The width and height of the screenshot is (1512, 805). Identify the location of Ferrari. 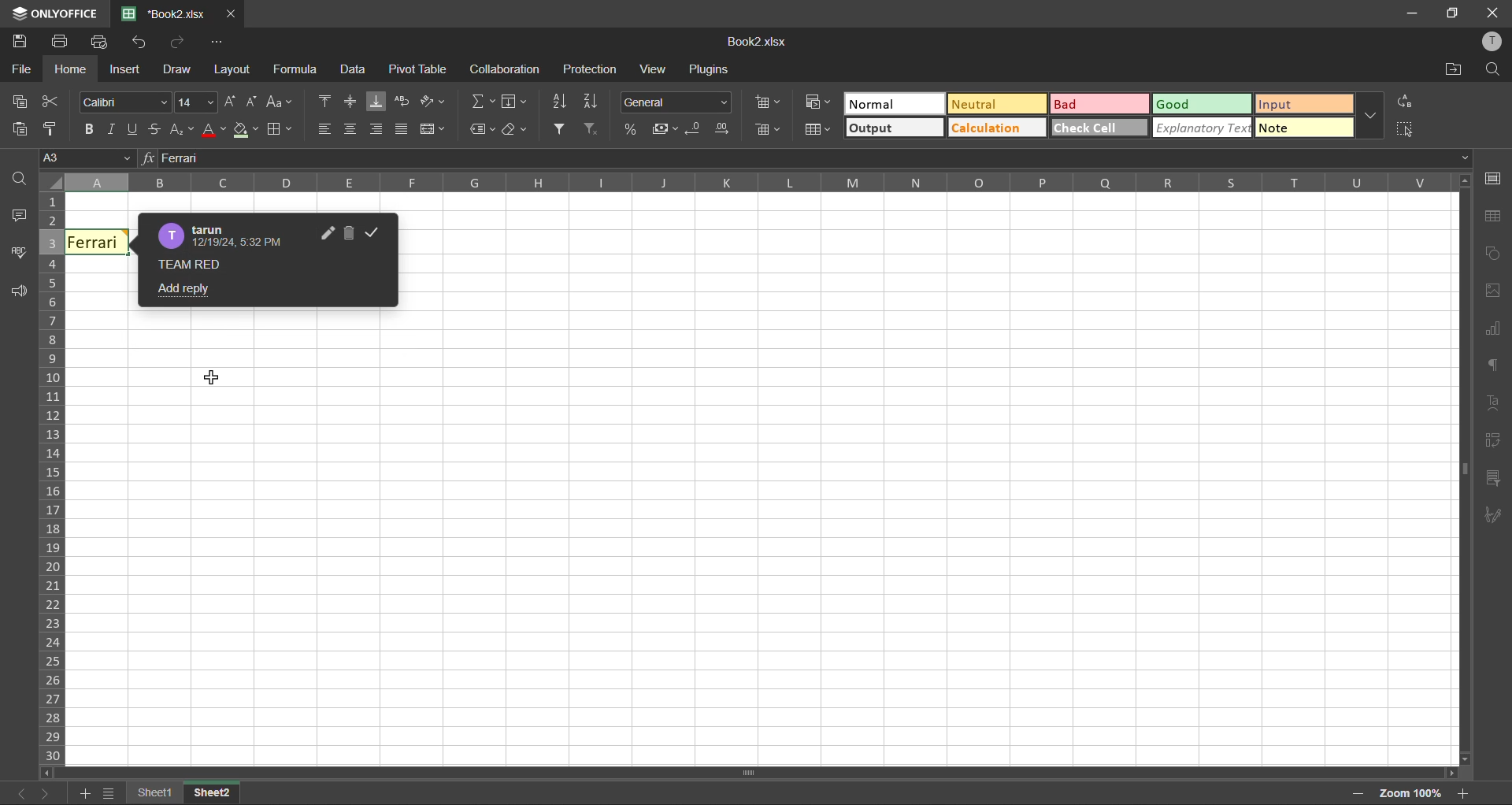
(98, 243).